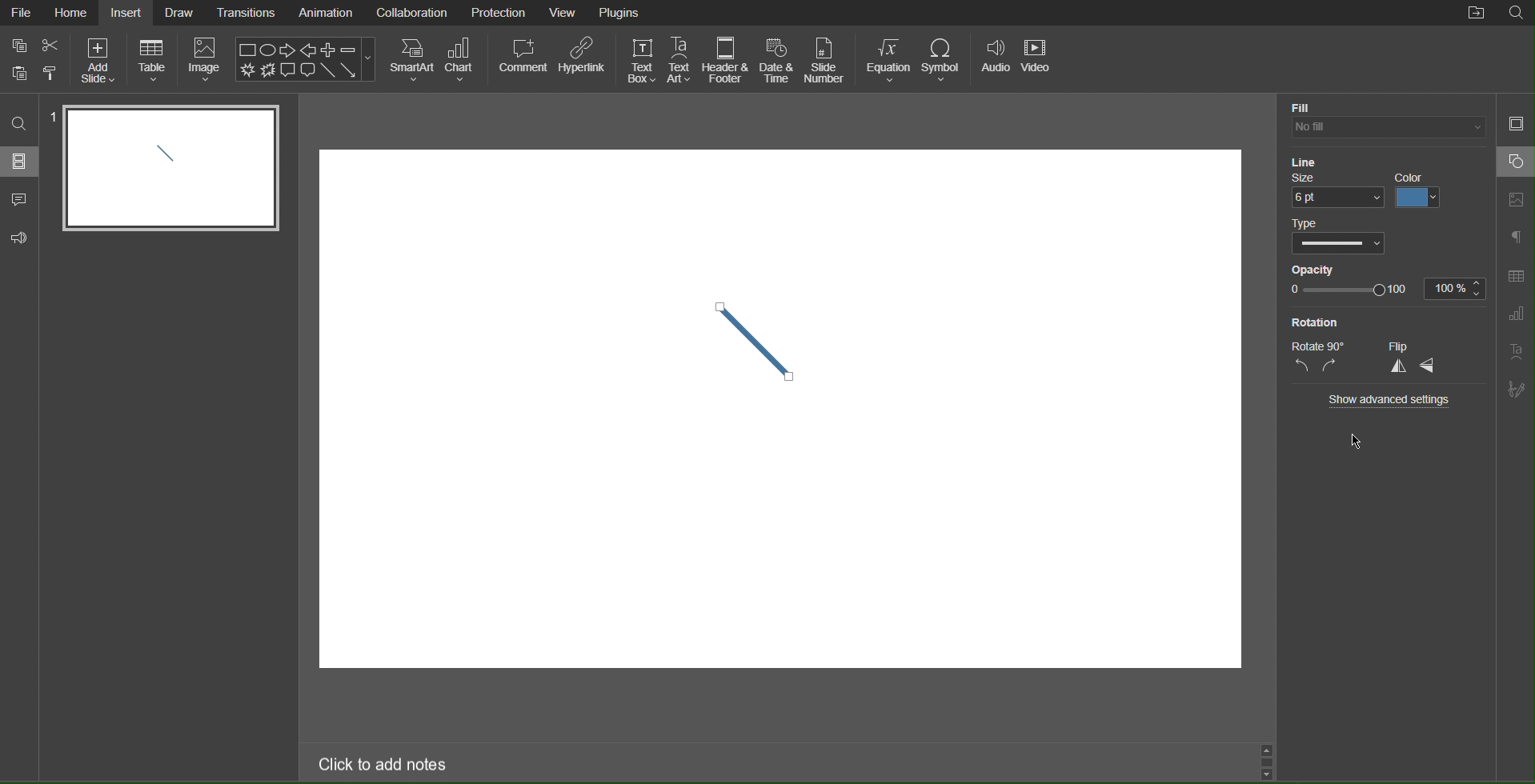  Describe the element at coordinates (1515, 162) in the screenshot. I see `Shape Settings` at that location.